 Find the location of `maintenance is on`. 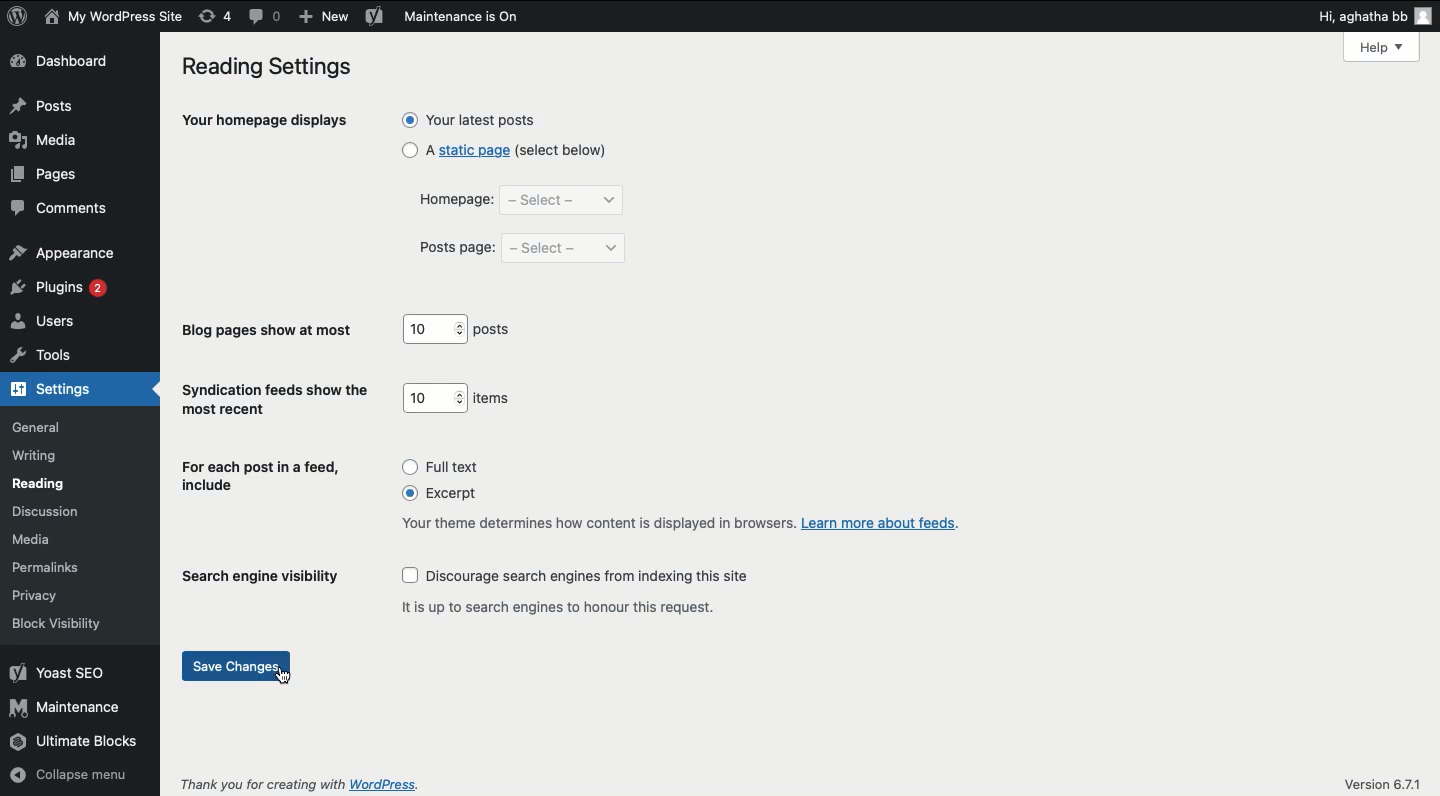

maintenance is on is located at coordinates (476, 17).